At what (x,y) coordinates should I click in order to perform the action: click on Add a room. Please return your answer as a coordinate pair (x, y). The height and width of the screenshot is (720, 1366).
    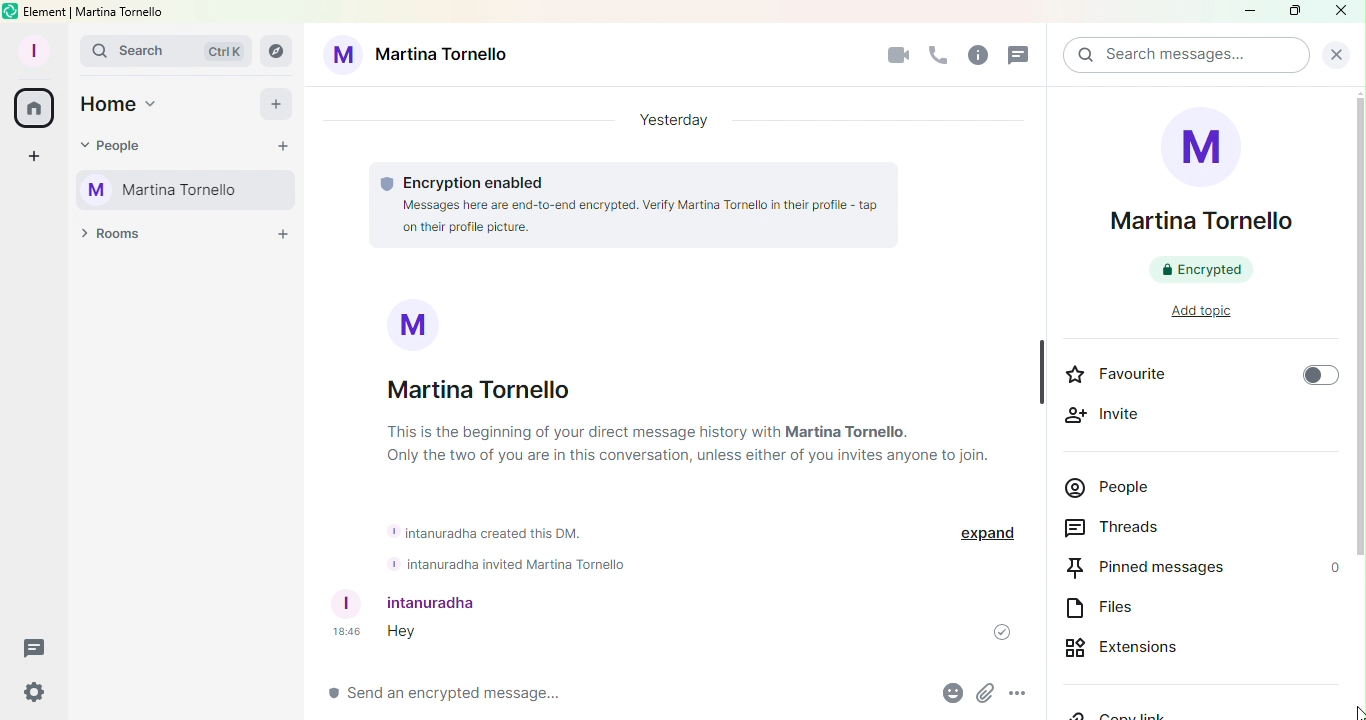
    Looking at the image, I should click on (287, 239).